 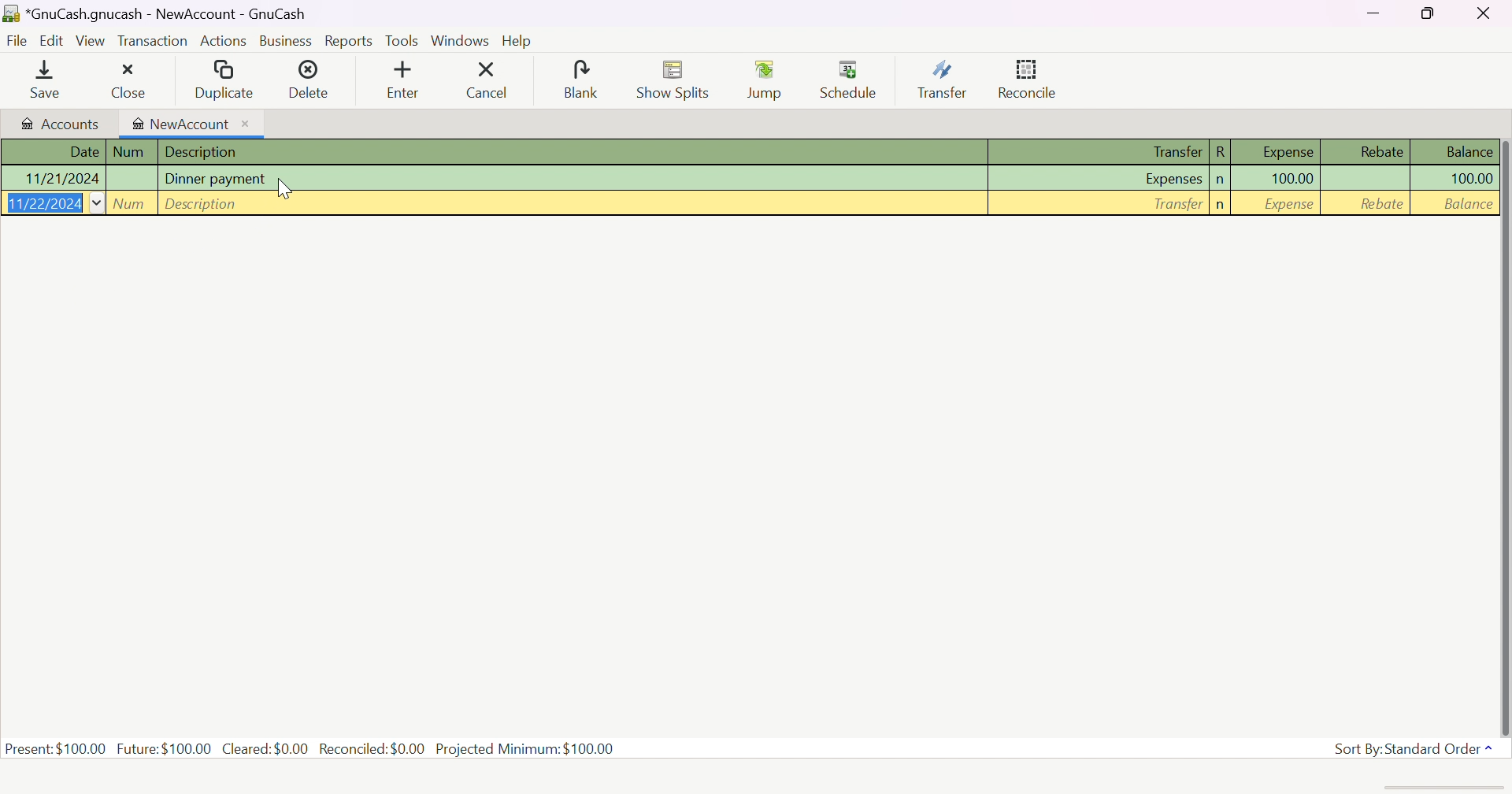 I want to click on Accounts, so click(x=59, y=123).